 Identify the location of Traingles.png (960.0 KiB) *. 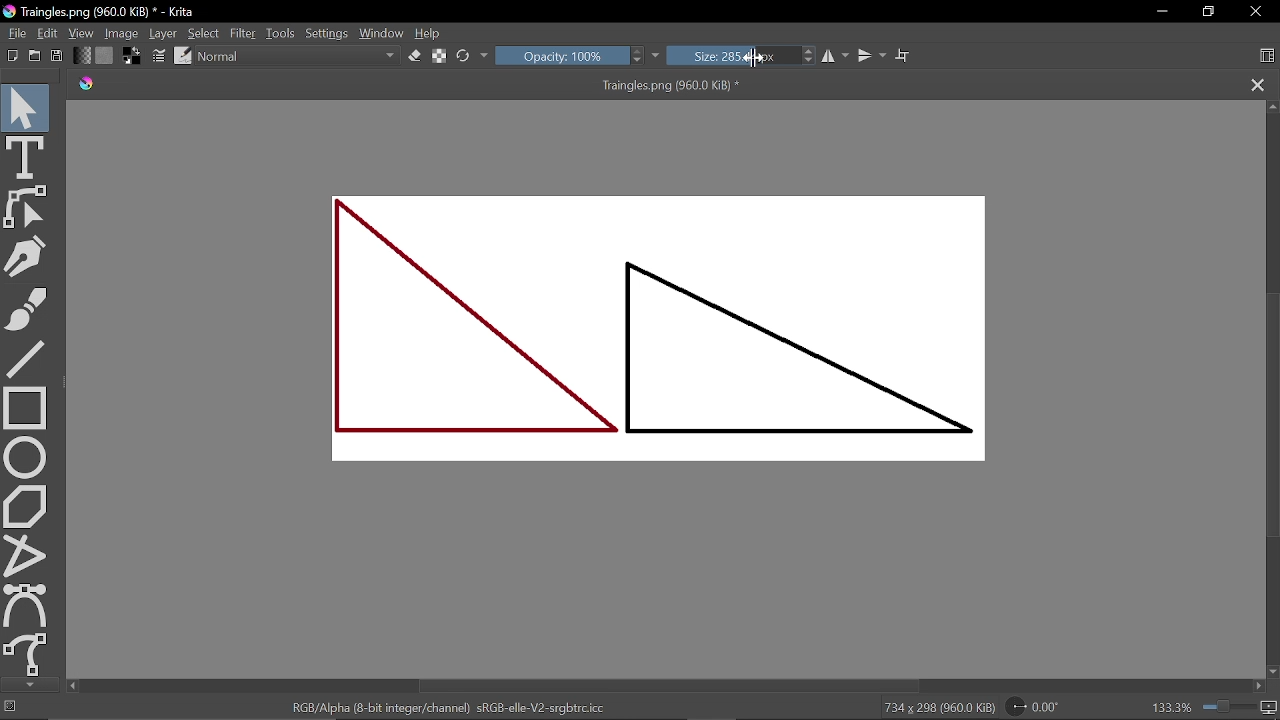
(414, 86).